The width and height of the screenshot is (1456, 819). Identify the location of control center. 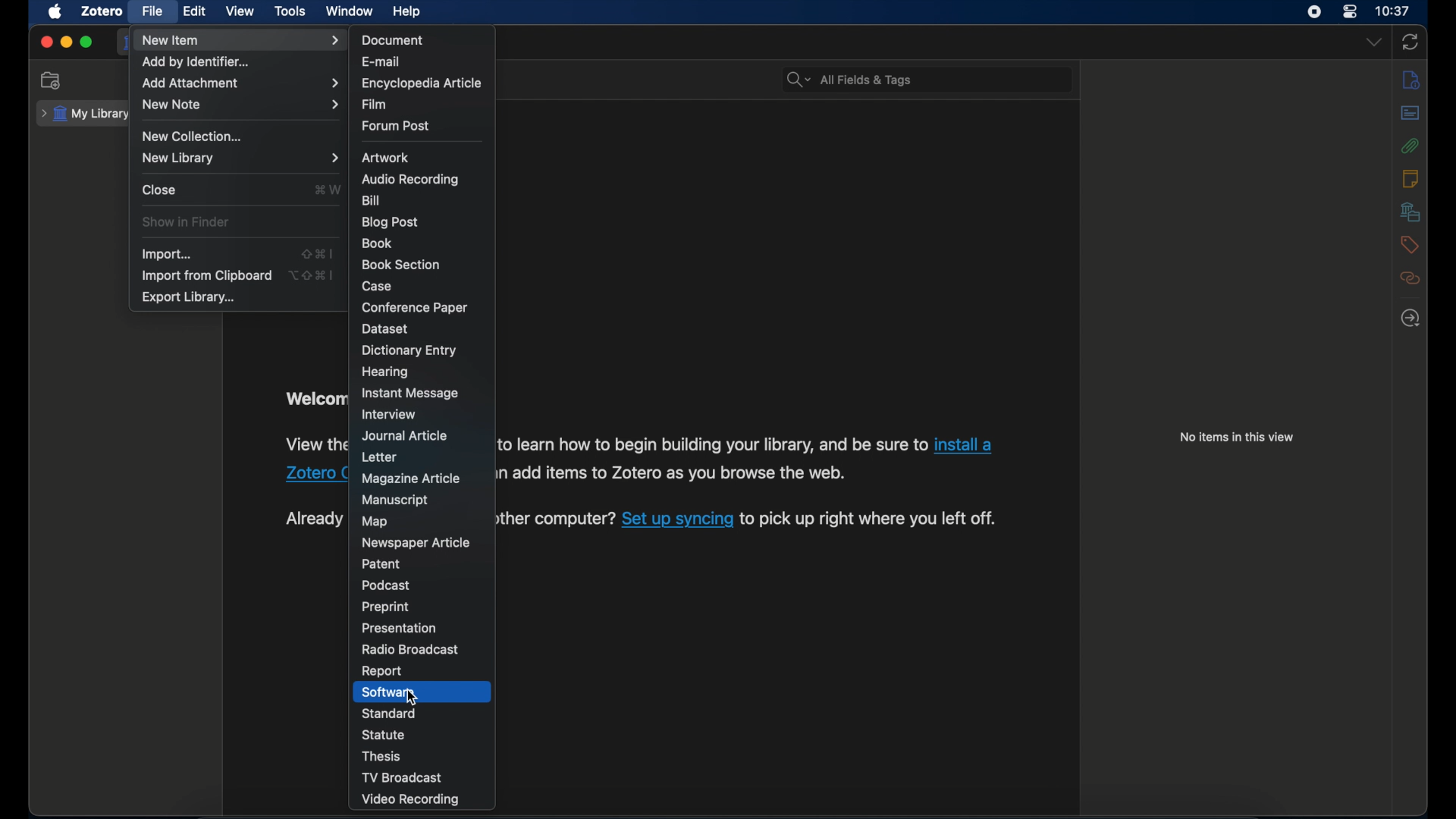
(1351, 13).